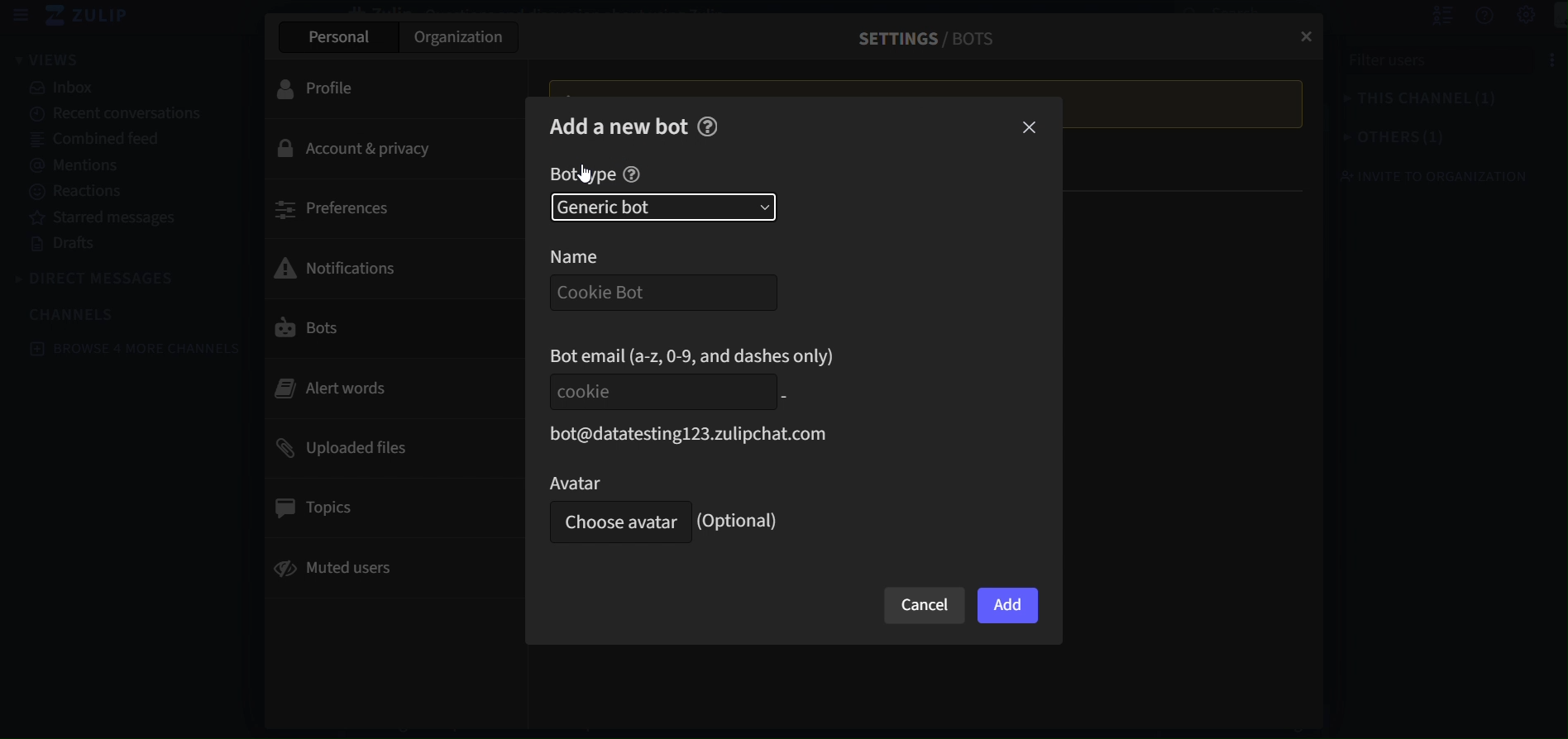  I want to click on Cursor, so click(586, 174).